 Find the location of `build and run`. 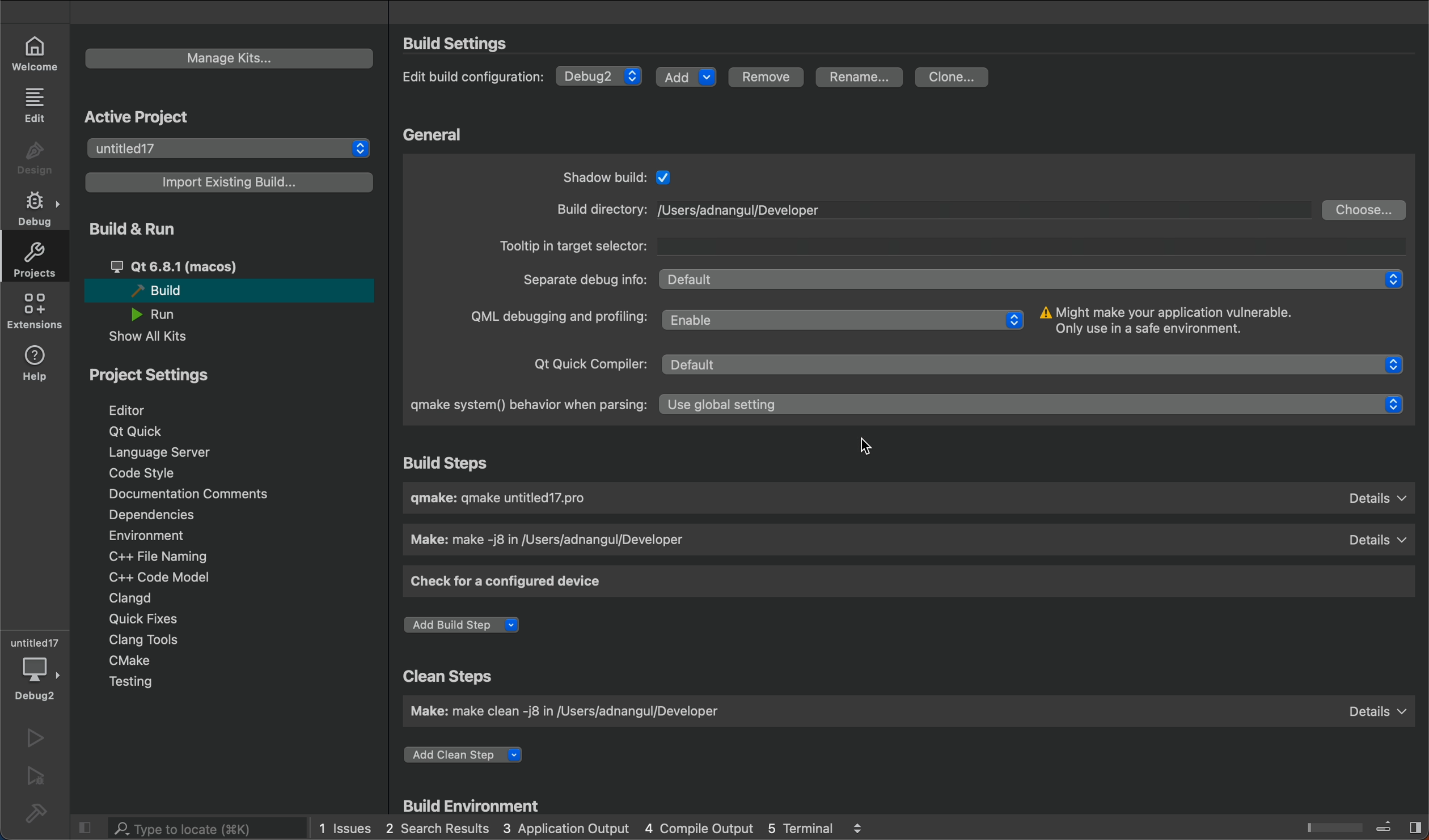

build and run is located at coordinates (231, 231).